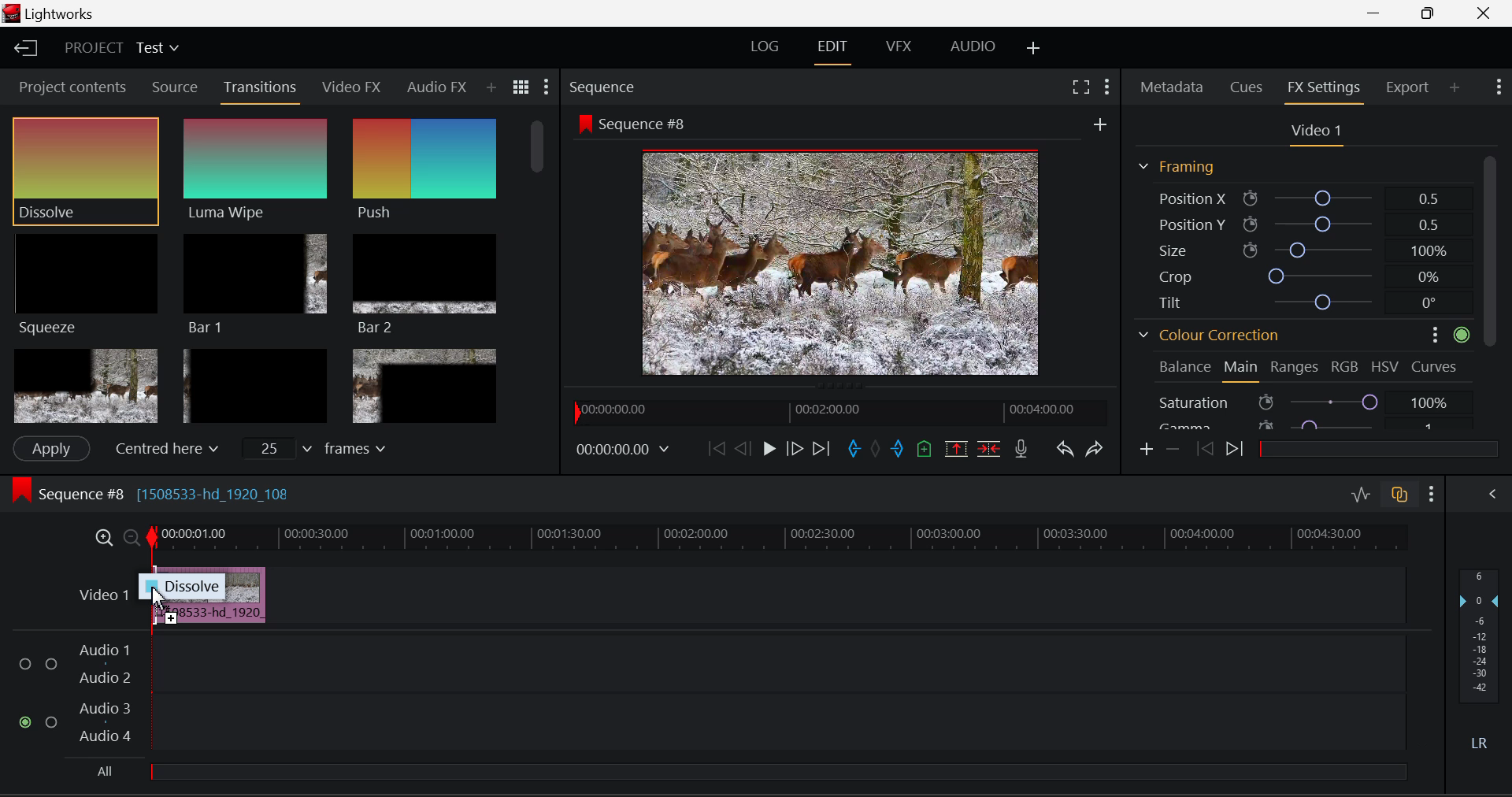 The width and height of the screenshot is (1512, 797). Describe the element at coordinates (425, 286) in the screenshot. I see `Bar 2` at that location.